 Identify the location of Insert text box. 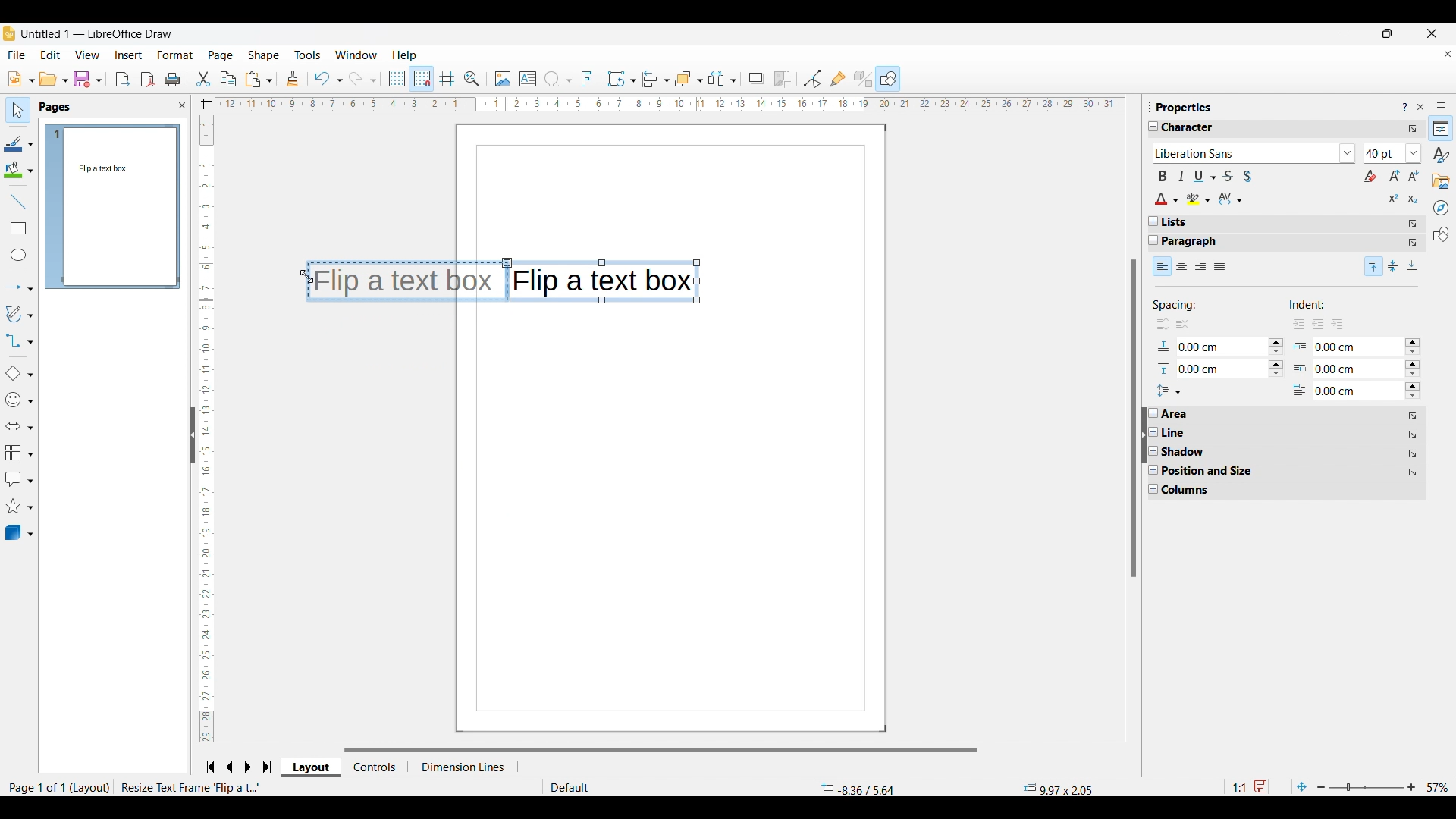
(528, 79).